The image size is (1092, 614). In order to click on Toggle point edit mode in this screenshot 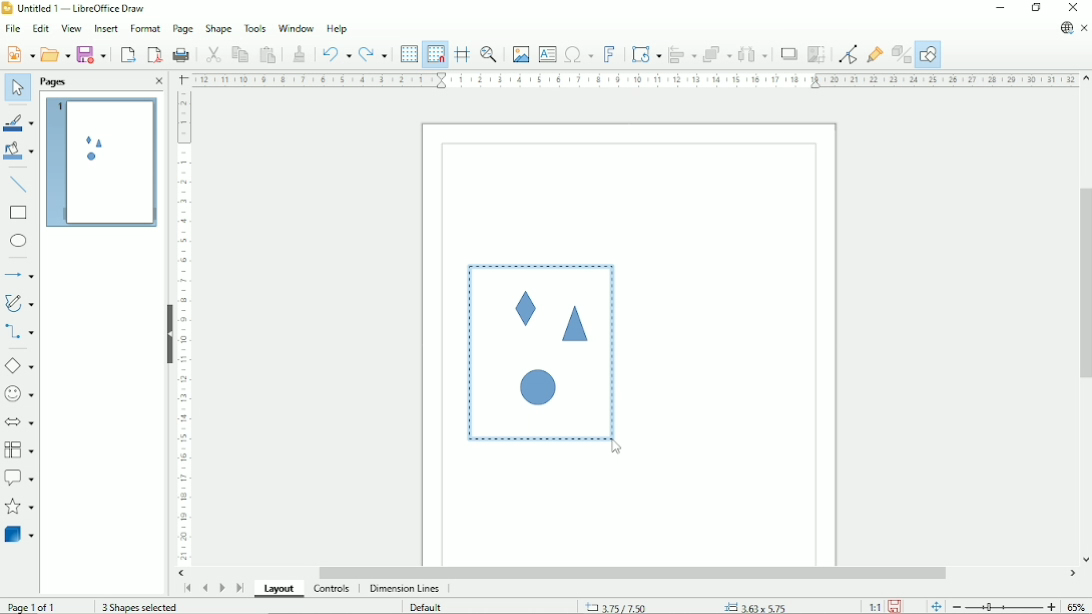, I will do `click(847, 54)`.